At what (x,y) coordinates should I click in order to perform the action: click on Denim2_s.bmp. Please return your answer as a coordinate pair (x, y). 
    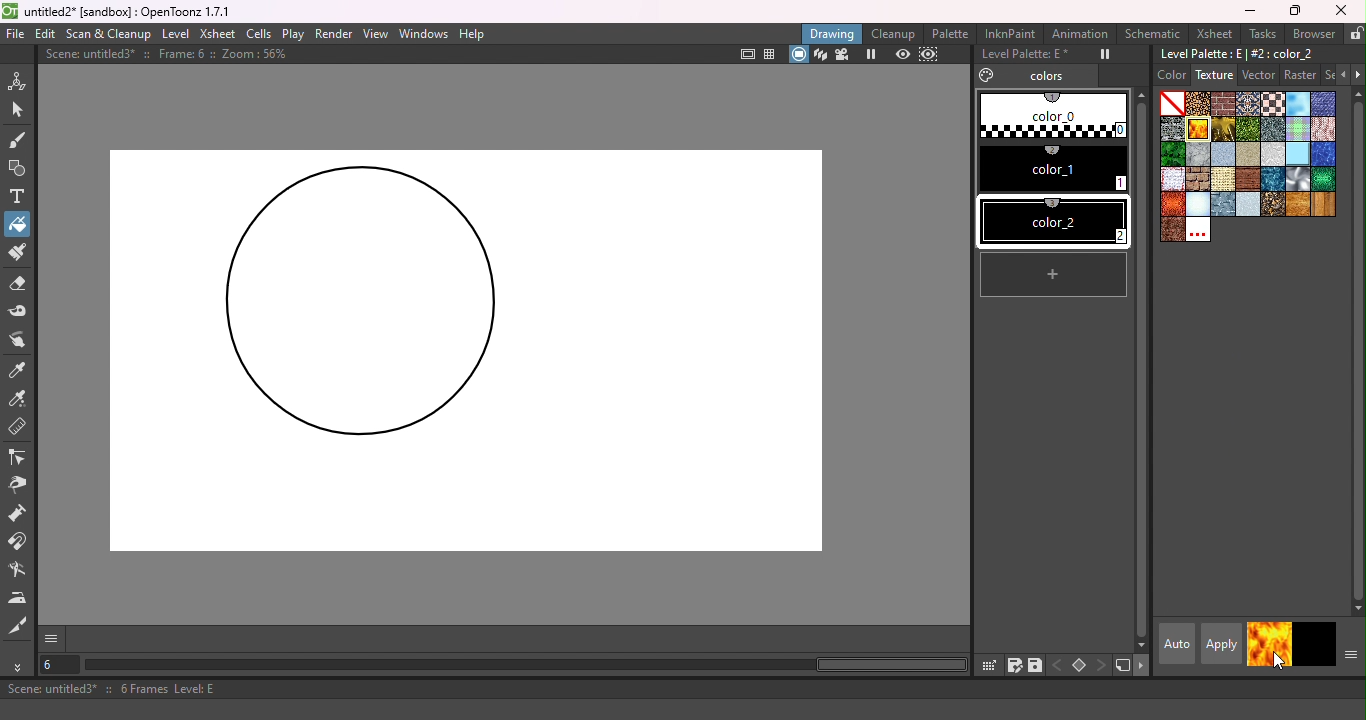
    Looking at the image, I should click on (1324, 102).